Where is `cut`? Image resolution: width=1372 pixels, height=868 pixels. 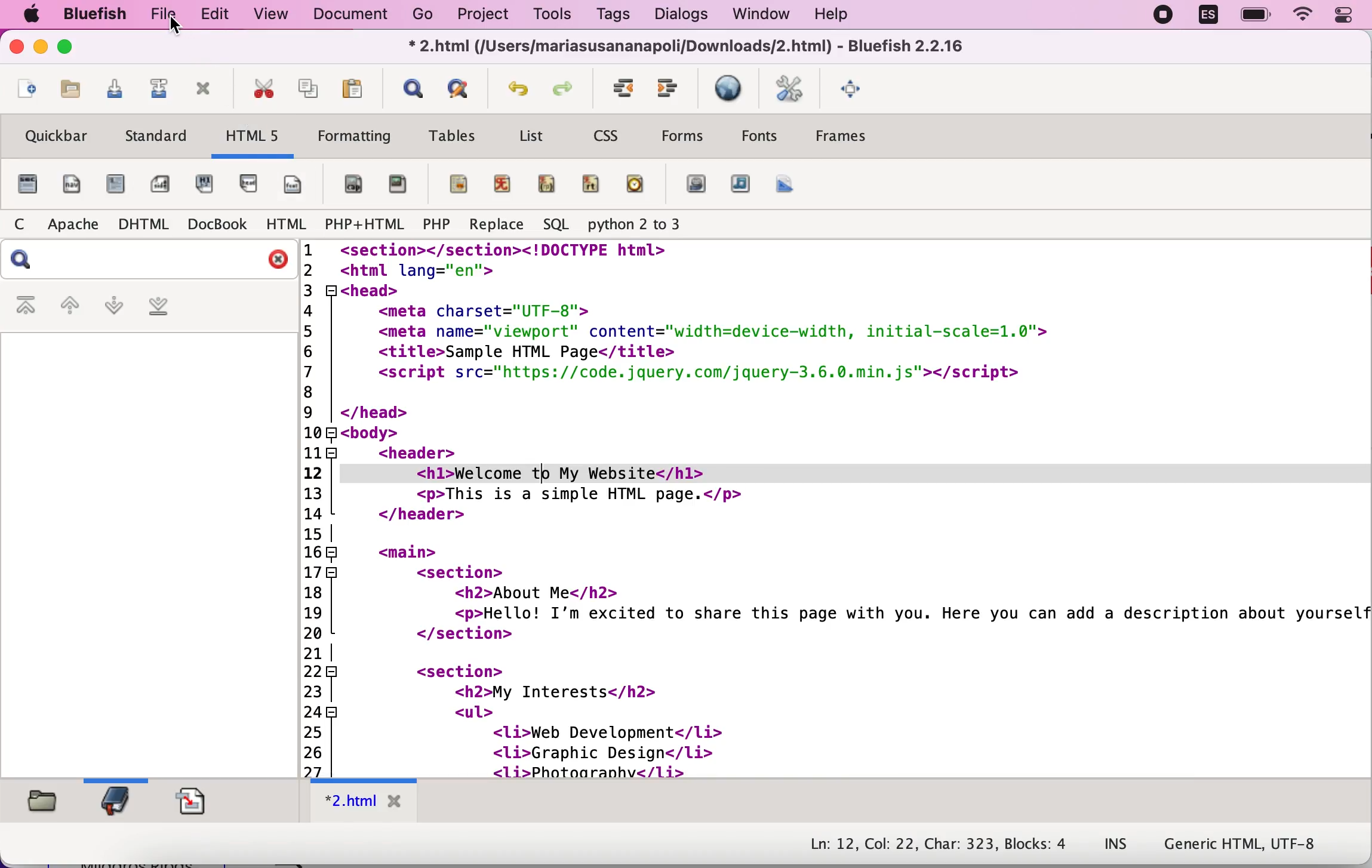
cut is located at coordinates (257, 90).